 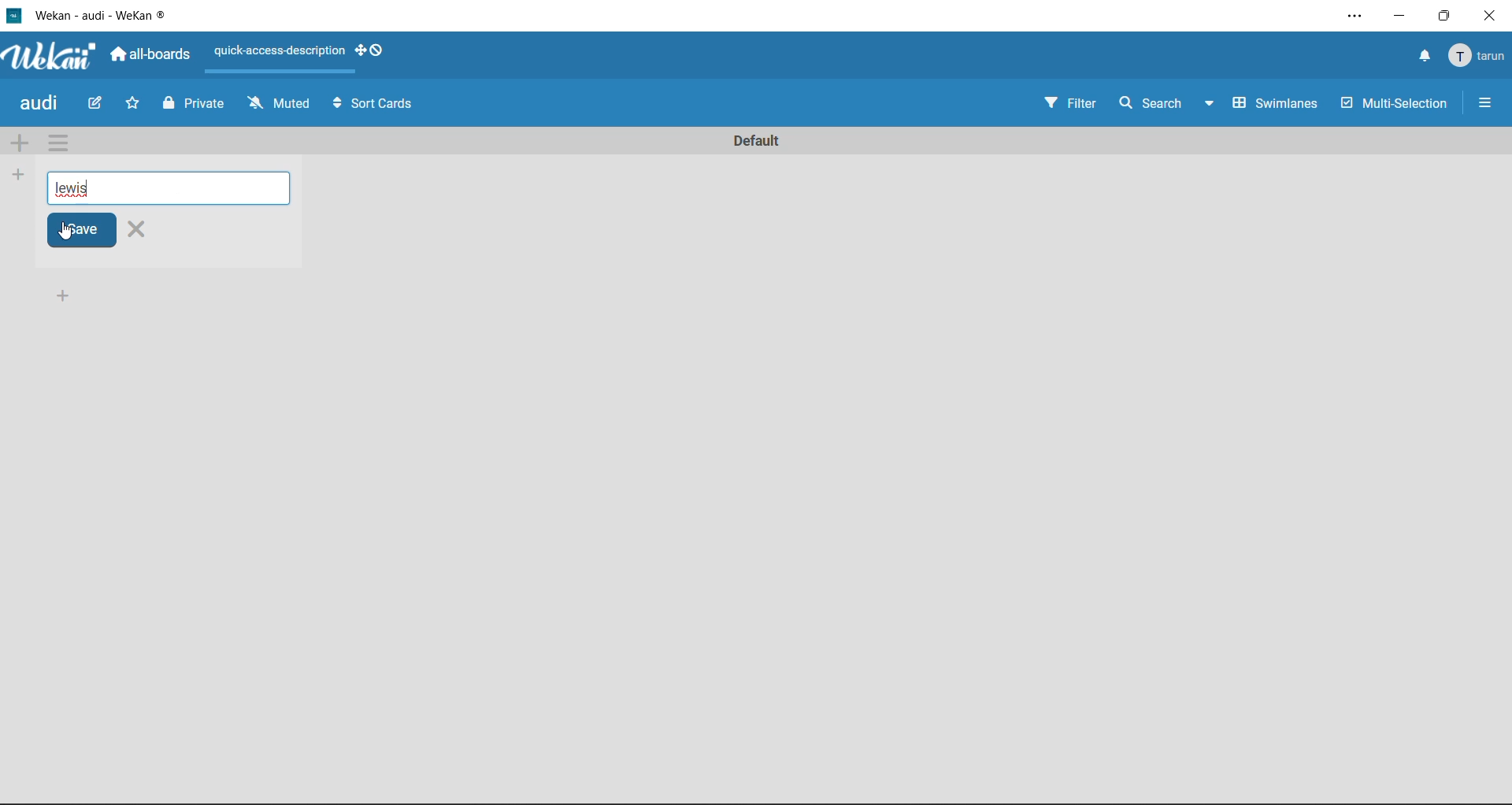 What do you see at coordinates (1402, 18) in the screenshot?
I see `minimize` at bounding box center [1402, 18].